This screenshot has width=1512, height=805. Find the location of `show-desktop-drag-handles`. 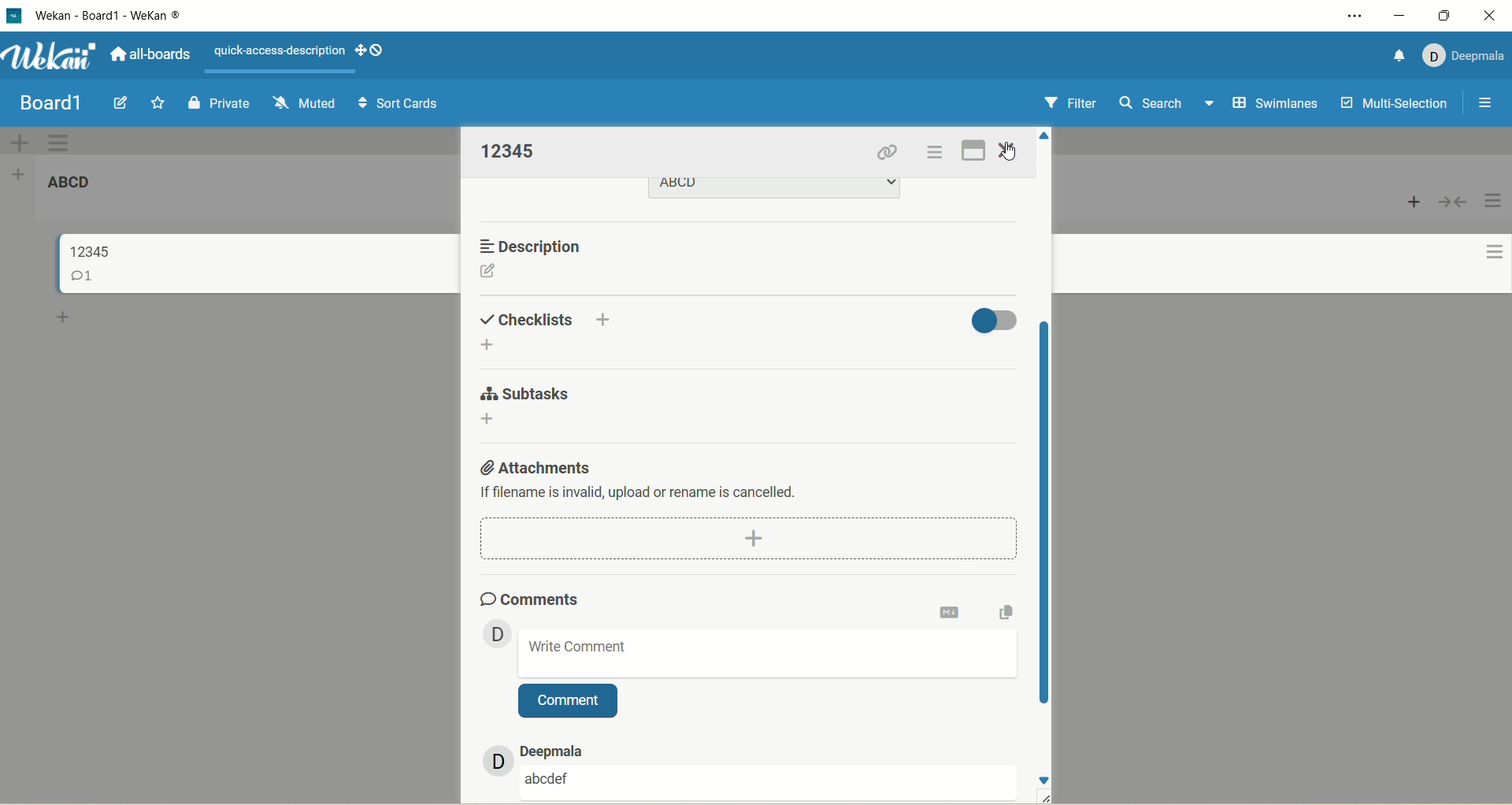

show-desktop-drag-handles is located at coordinates (357, 48).